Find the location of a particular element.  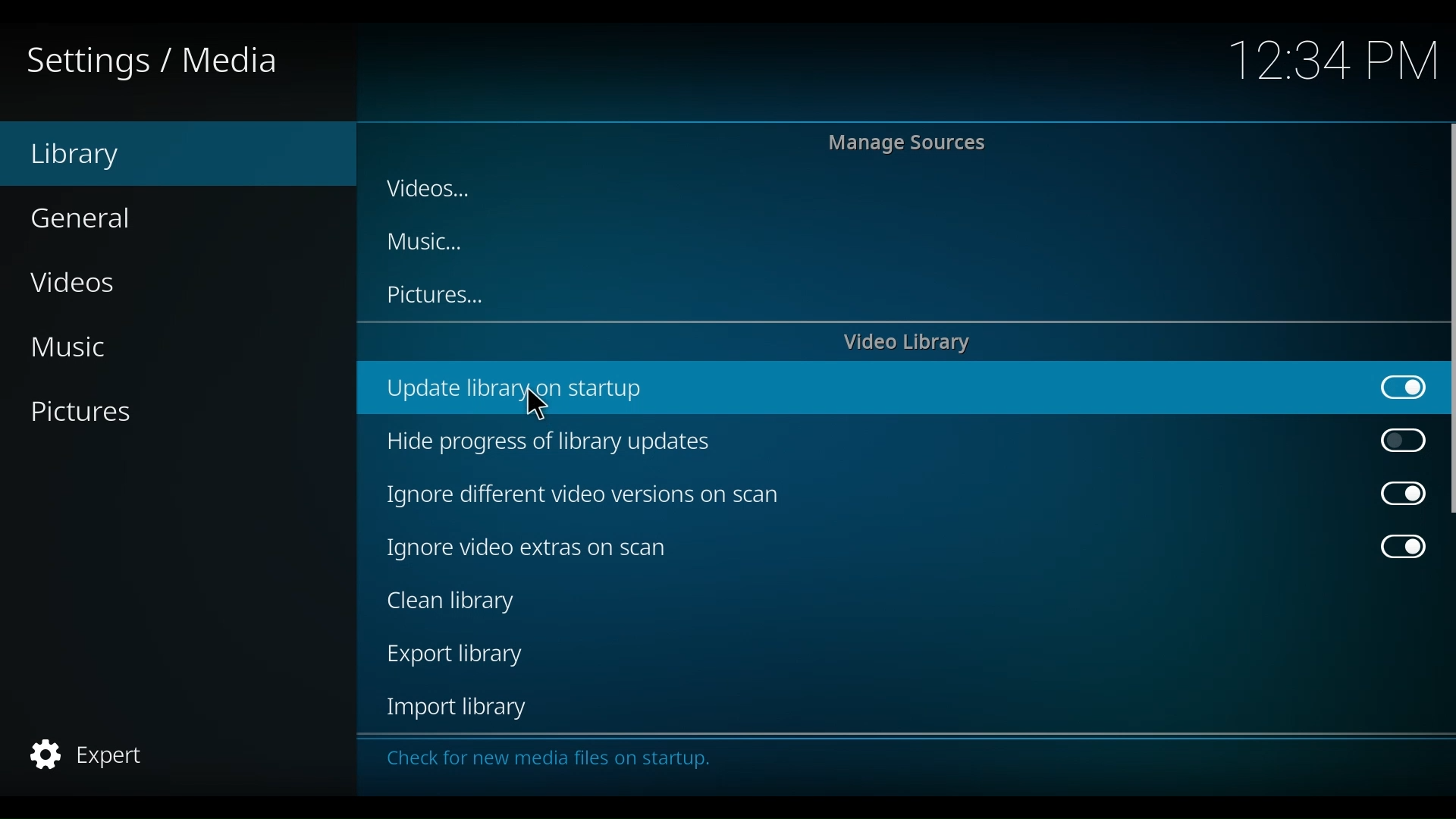

Pictures is located at coordinates (86, 414).